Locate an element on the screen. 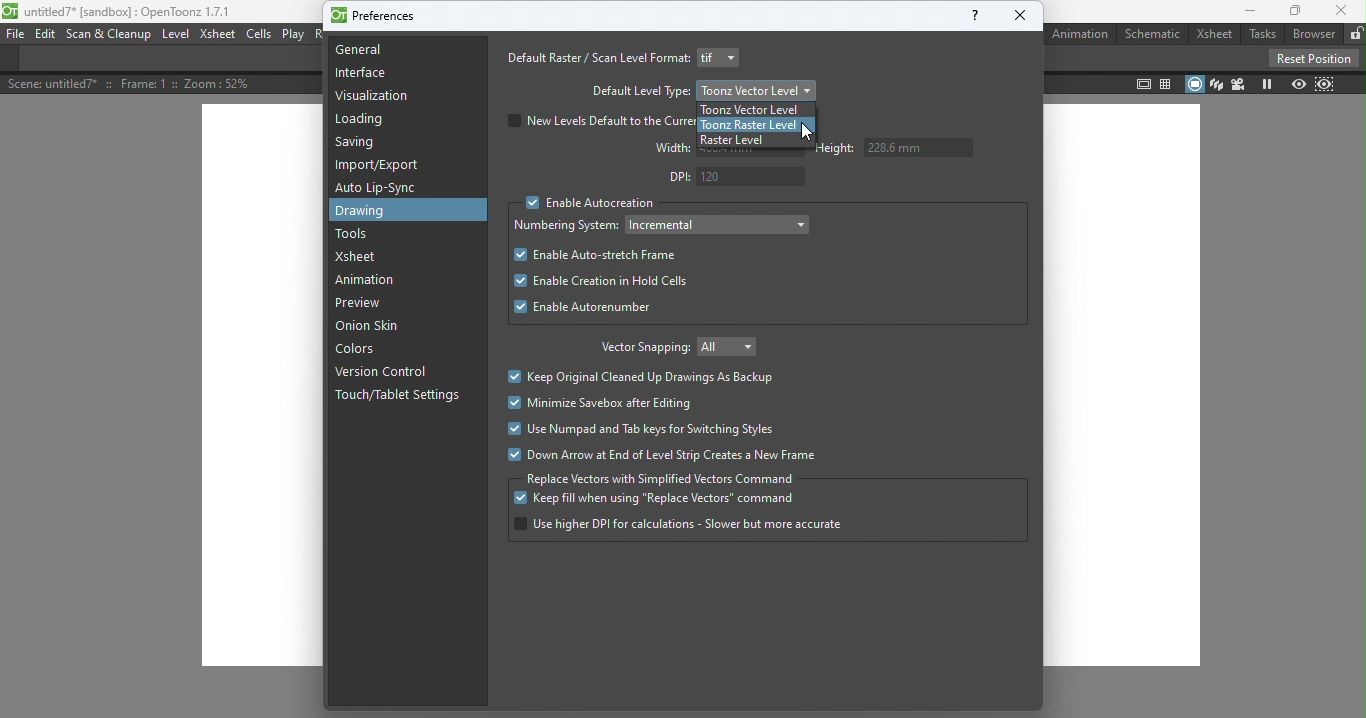 Image resolution: width=1366 pixels, height=718 pixels. Saving is located at coordinates (358, 144).